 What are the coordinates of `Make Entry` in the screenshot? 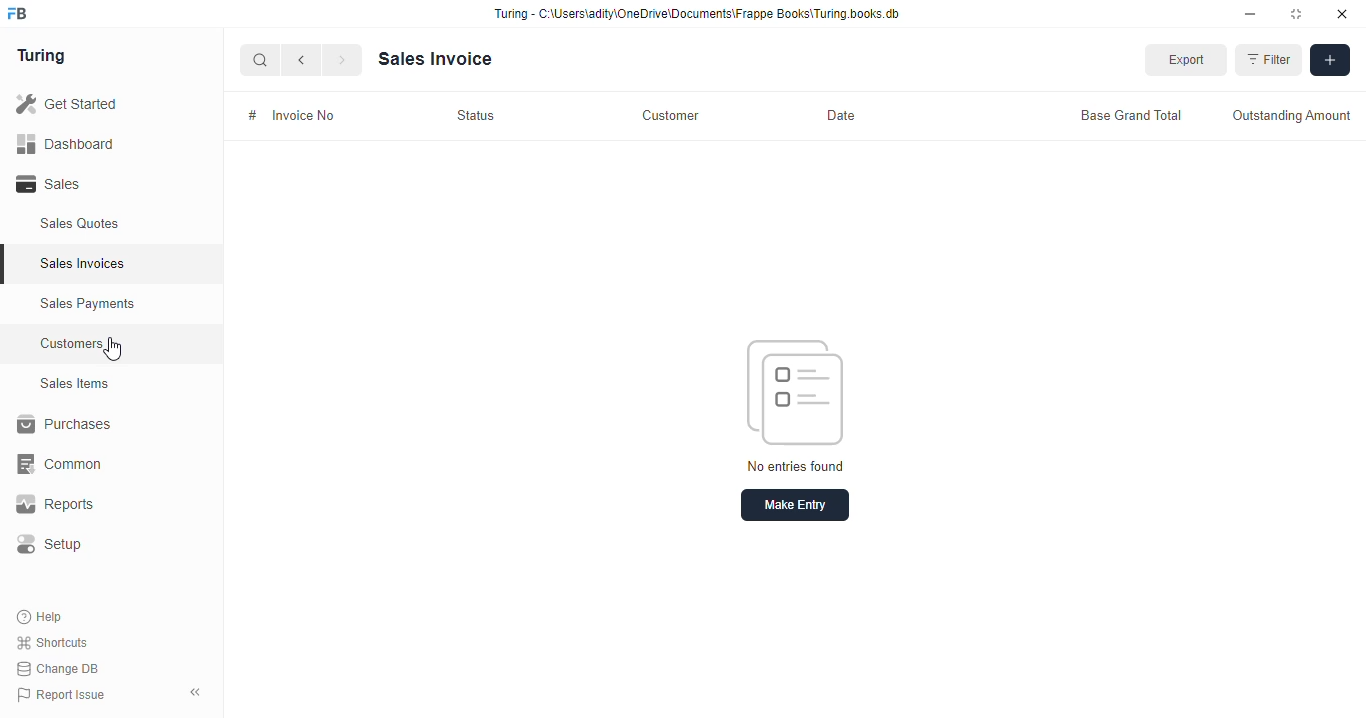 It's located at (798, 505).